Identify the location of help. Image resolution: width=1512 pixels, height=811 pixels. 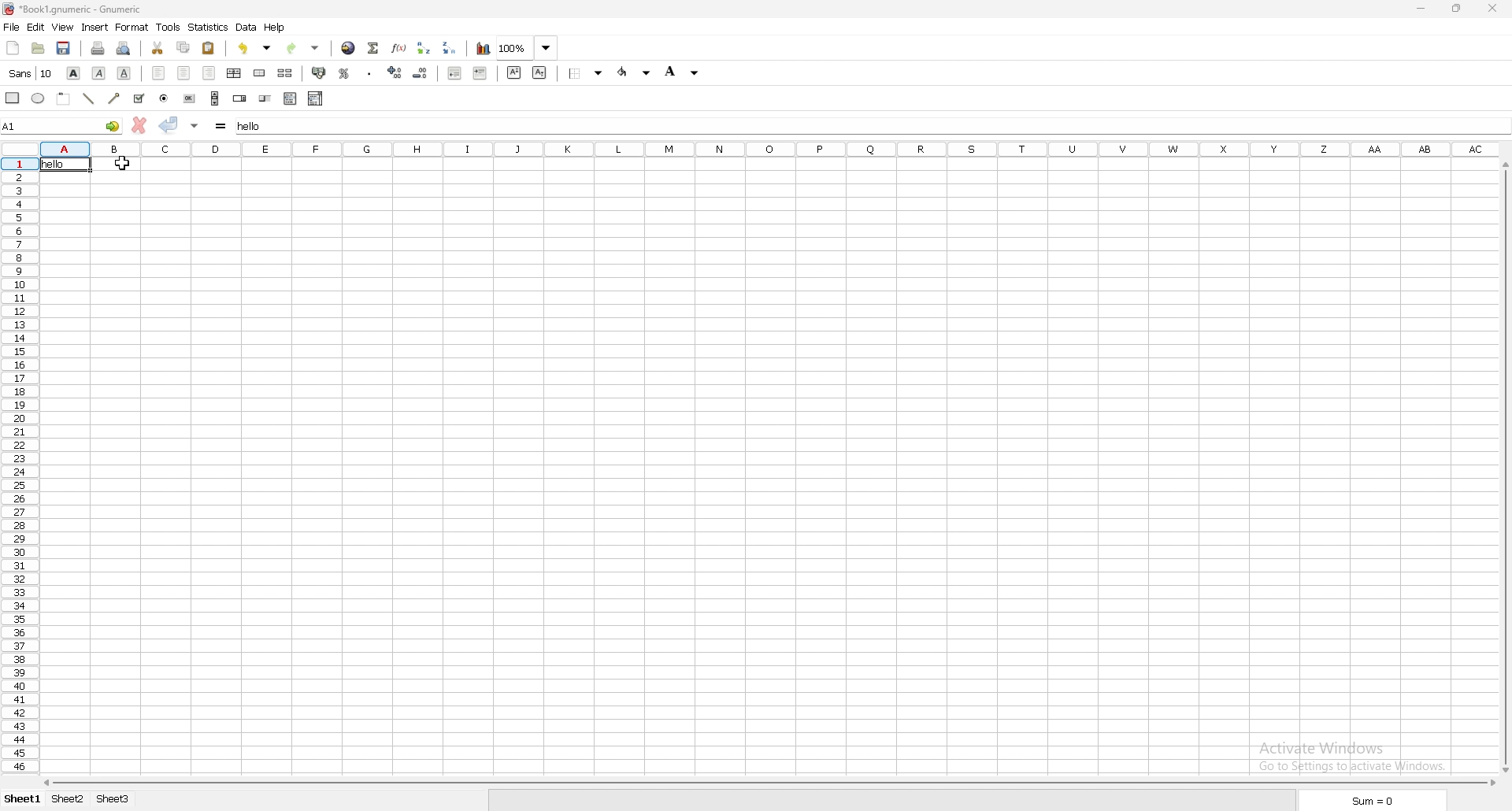
(275, 27).